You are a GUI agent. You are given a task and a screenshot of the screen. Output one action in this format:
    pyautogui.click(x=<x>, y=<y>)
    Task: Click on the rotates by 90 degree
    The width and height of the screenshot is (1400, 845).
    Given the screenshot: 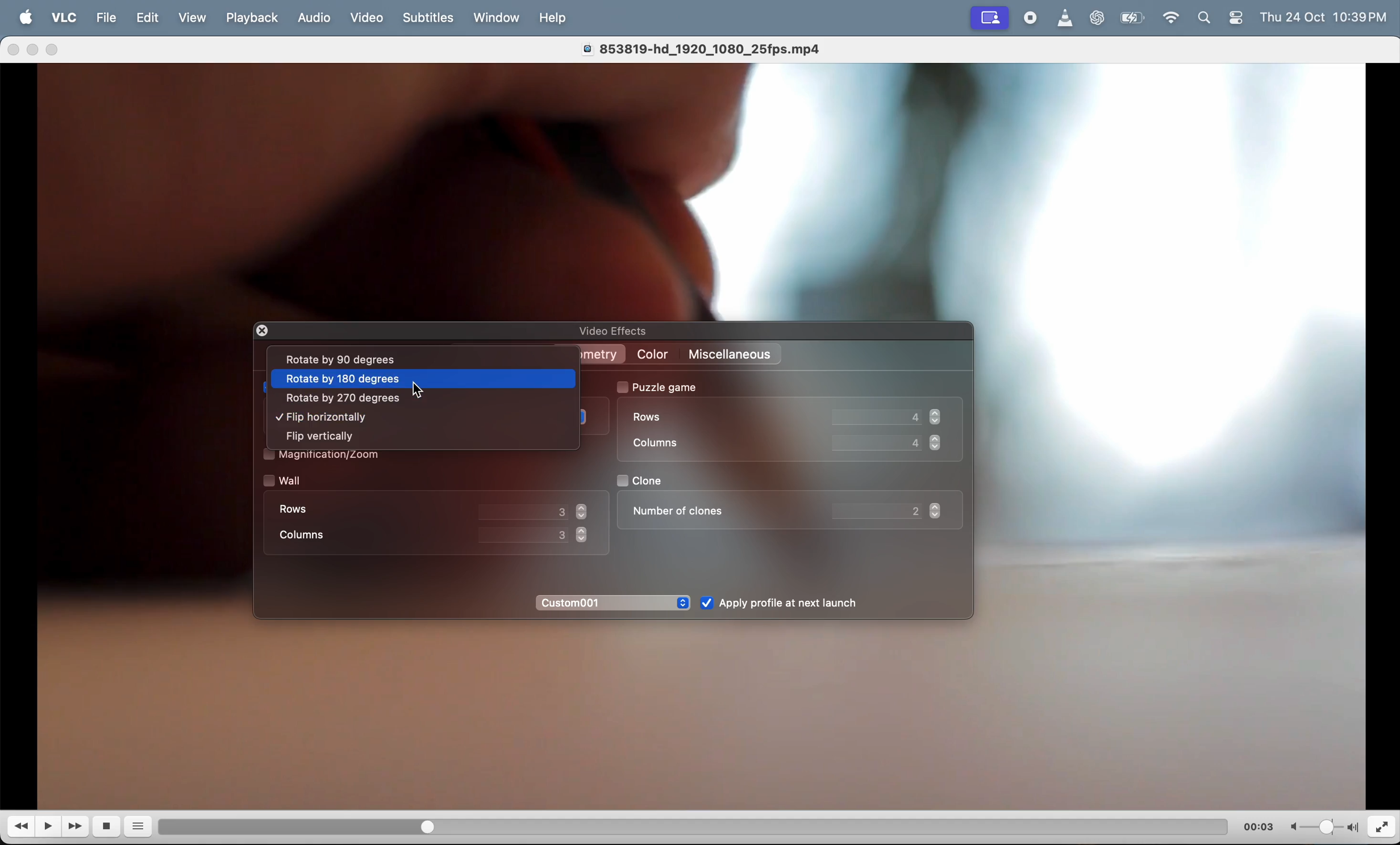 What is the action you would take?
    pyautogui.click(x=341, y=361)
    